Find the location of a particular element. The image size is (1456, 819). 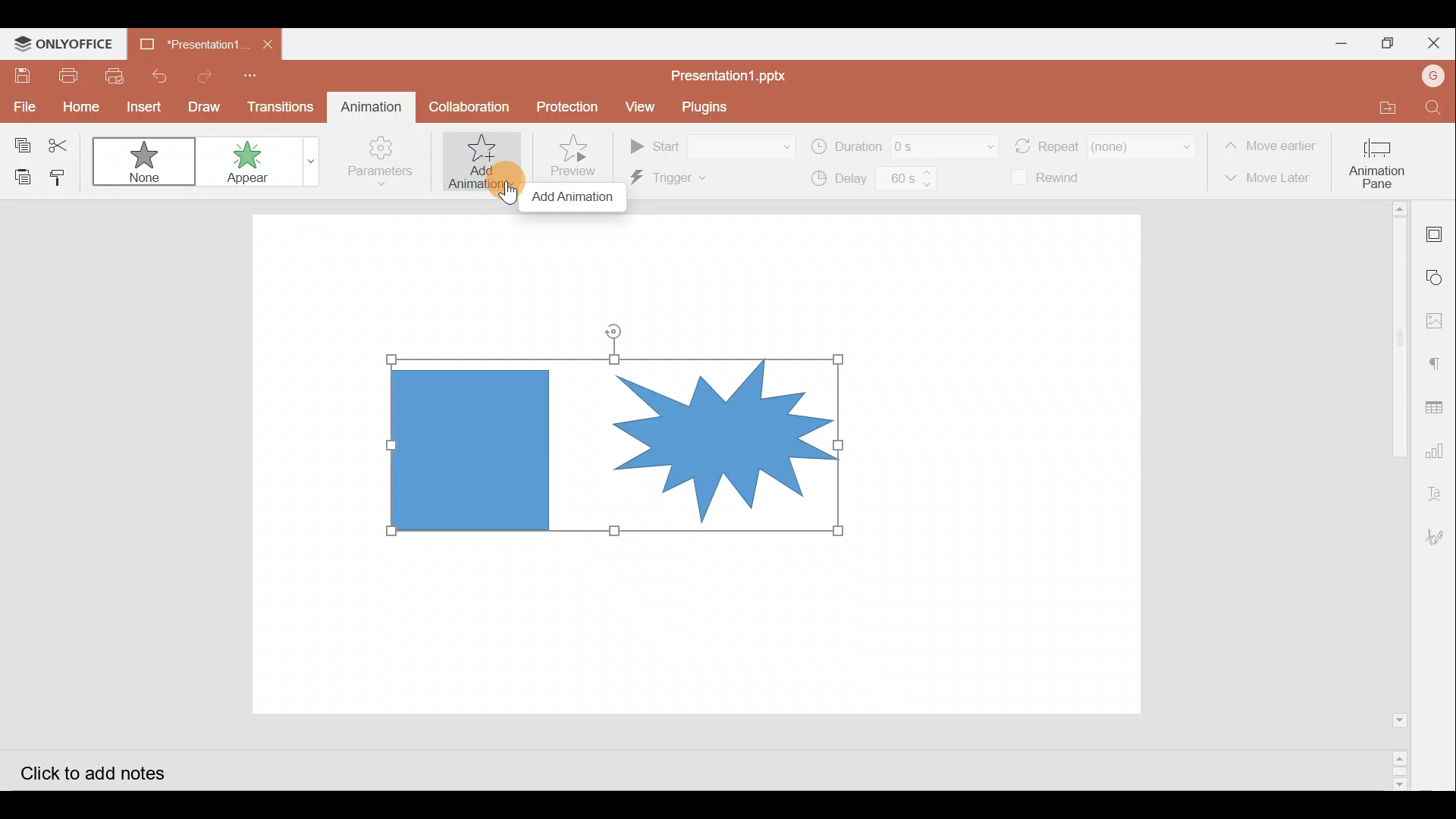

Presentation1.pptx is located at coordinates (732, 73).